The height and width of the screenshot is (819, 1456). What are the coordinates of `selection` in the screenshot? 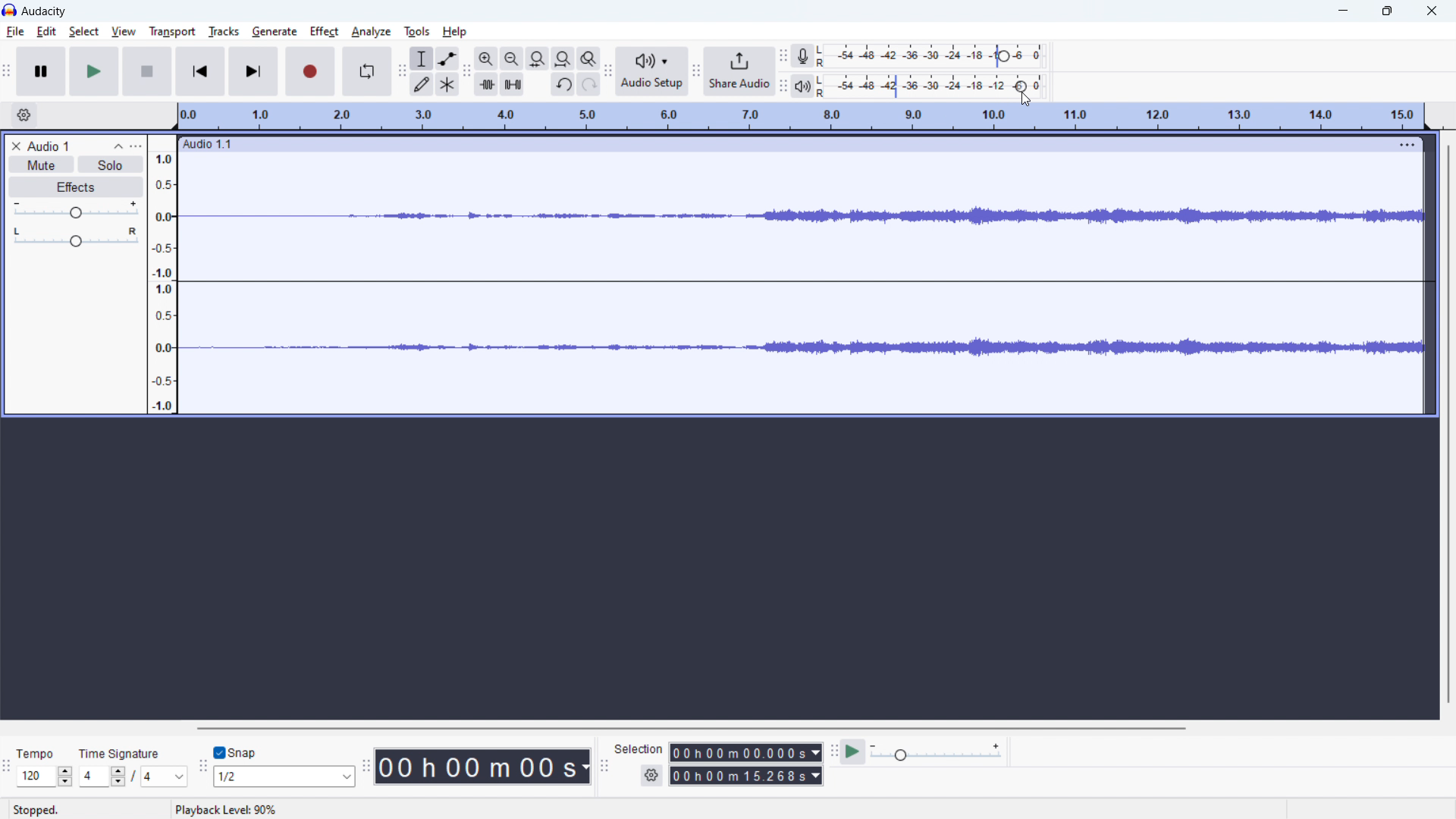 It's located at (638, 748).